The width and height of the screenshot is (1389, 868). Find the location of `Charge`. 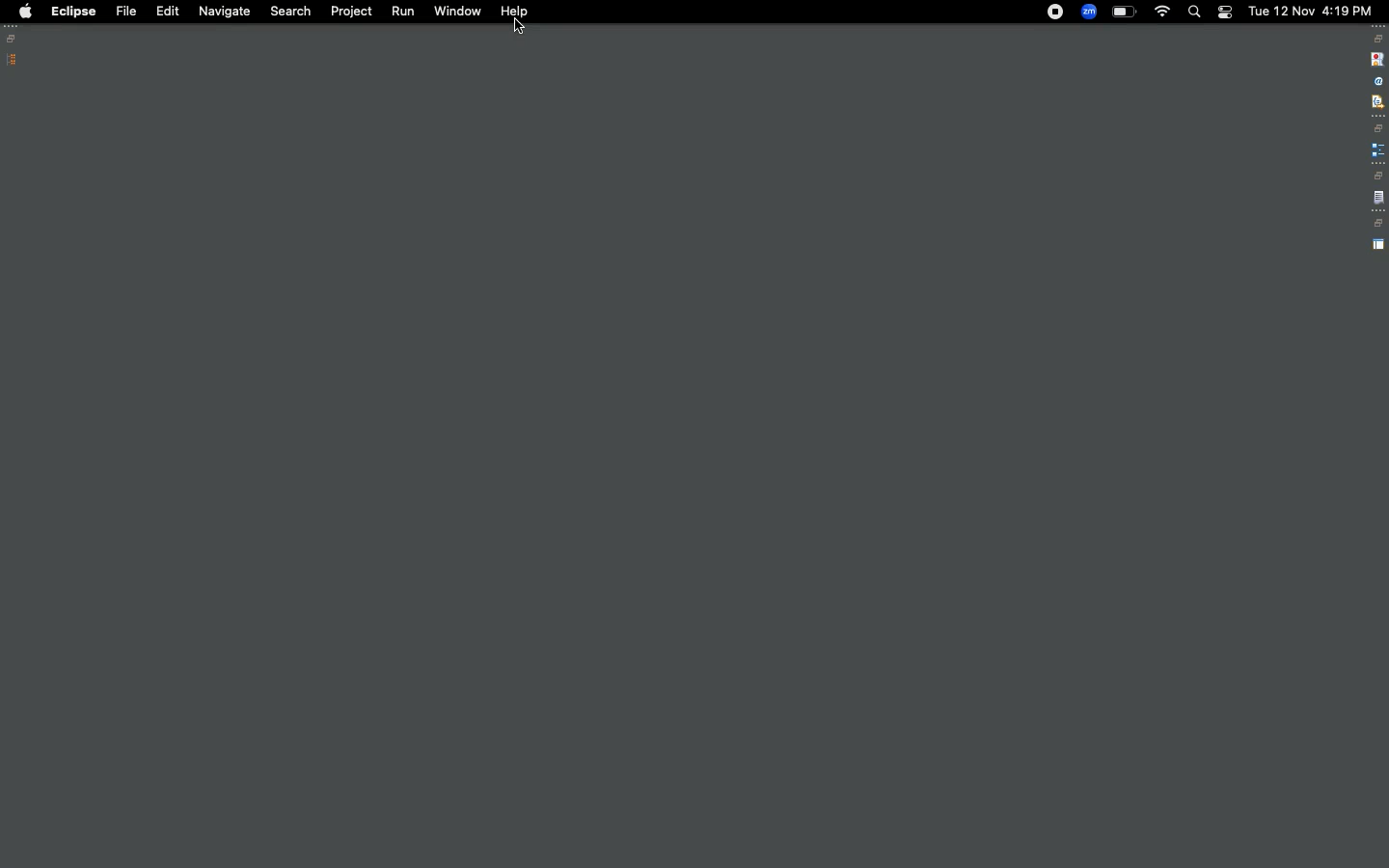

Charge is located at coordinates (1124, 13).